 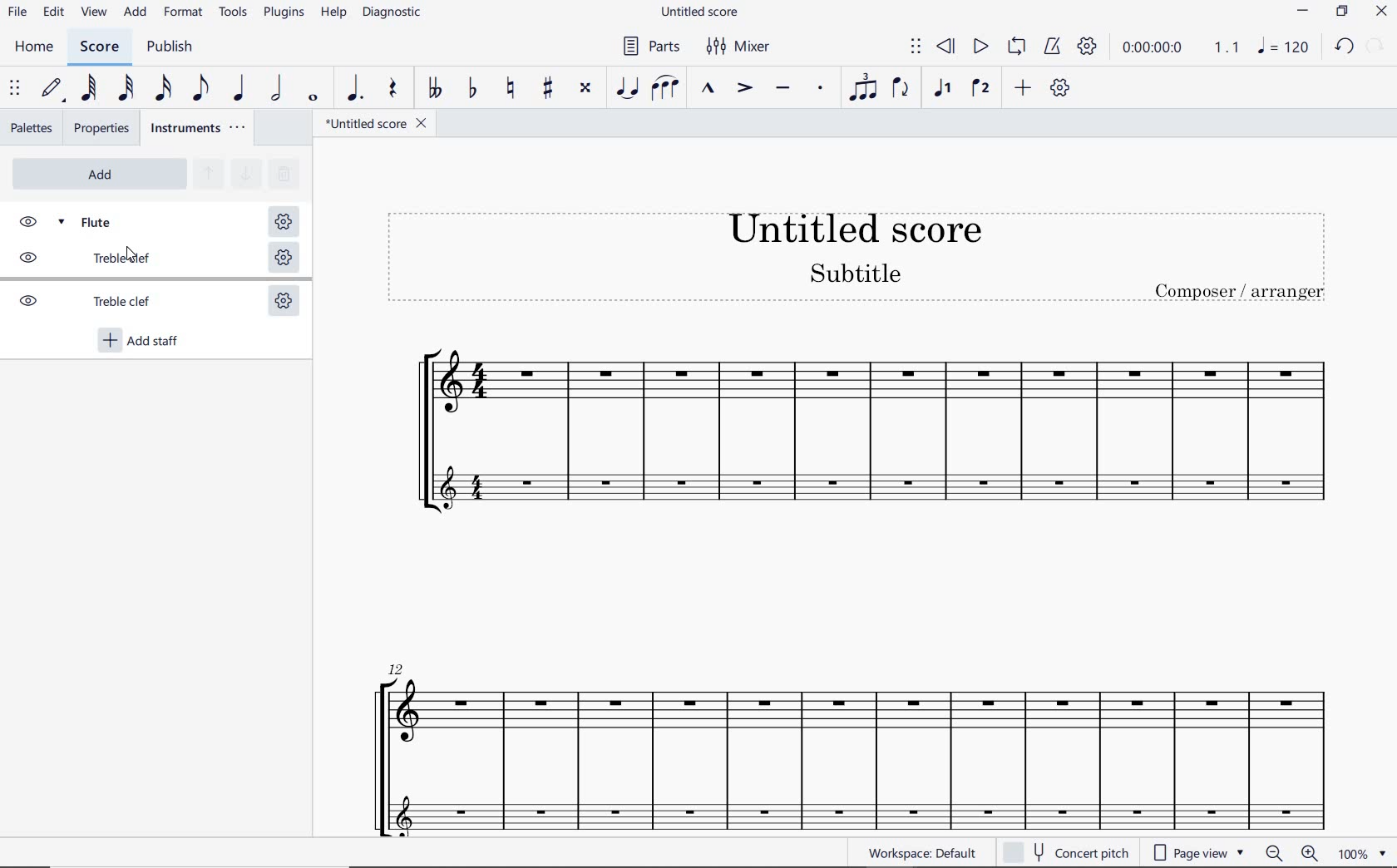 What do you see at coordinates (587, 89) in the screenshot?
I see `TOGGLE DOUBLE-SHARP` at bounding box center [587, 89].